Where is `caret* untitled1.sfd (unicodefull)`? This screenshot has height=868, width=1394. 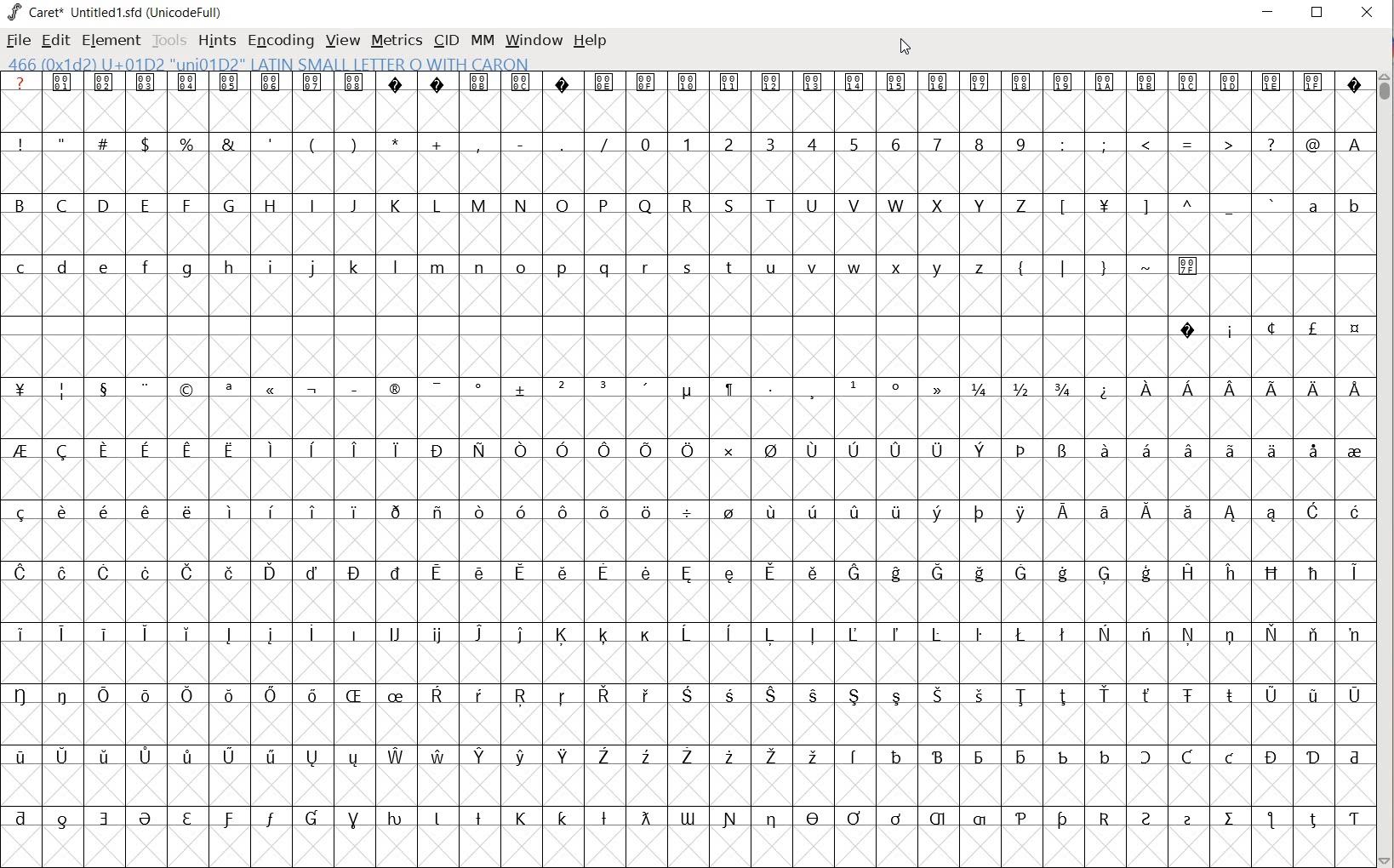 caret* untitled1.sfd (unicodefull) is located at coordinates (117, 11).